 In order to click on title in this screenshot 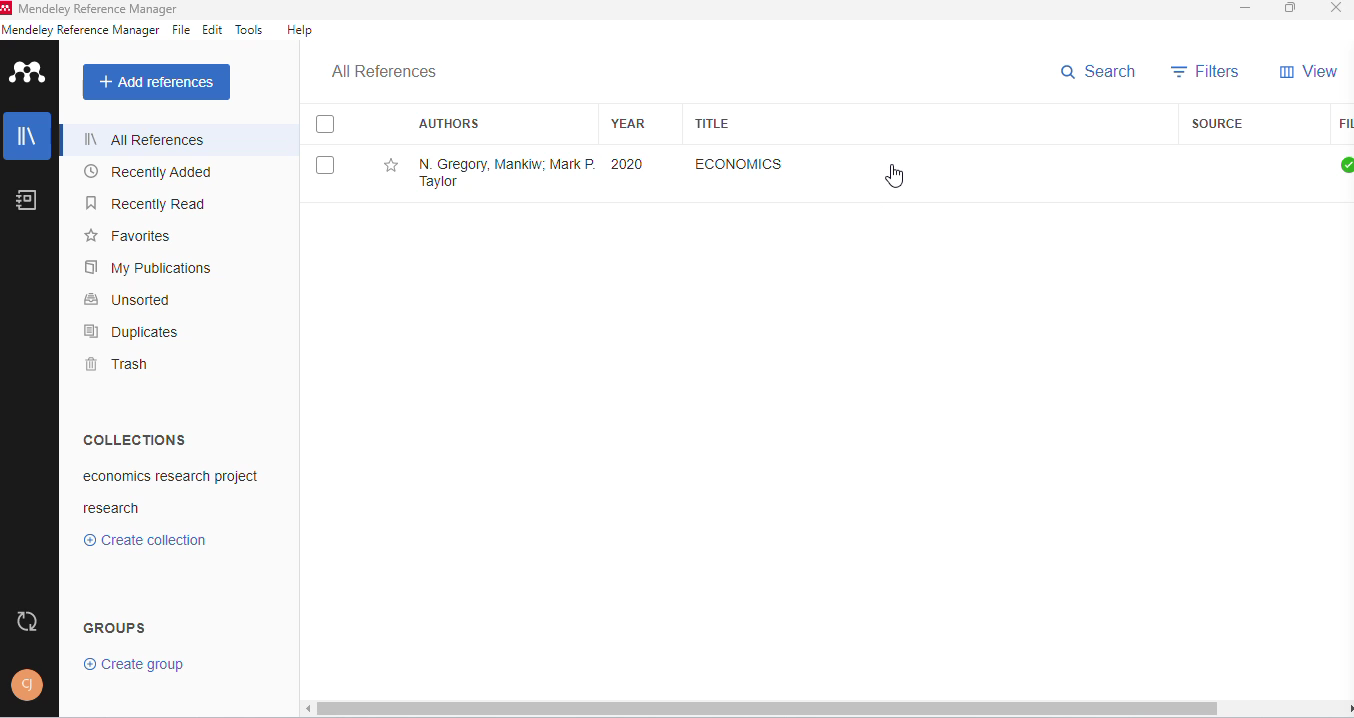, I will do `click(713, 123)`.